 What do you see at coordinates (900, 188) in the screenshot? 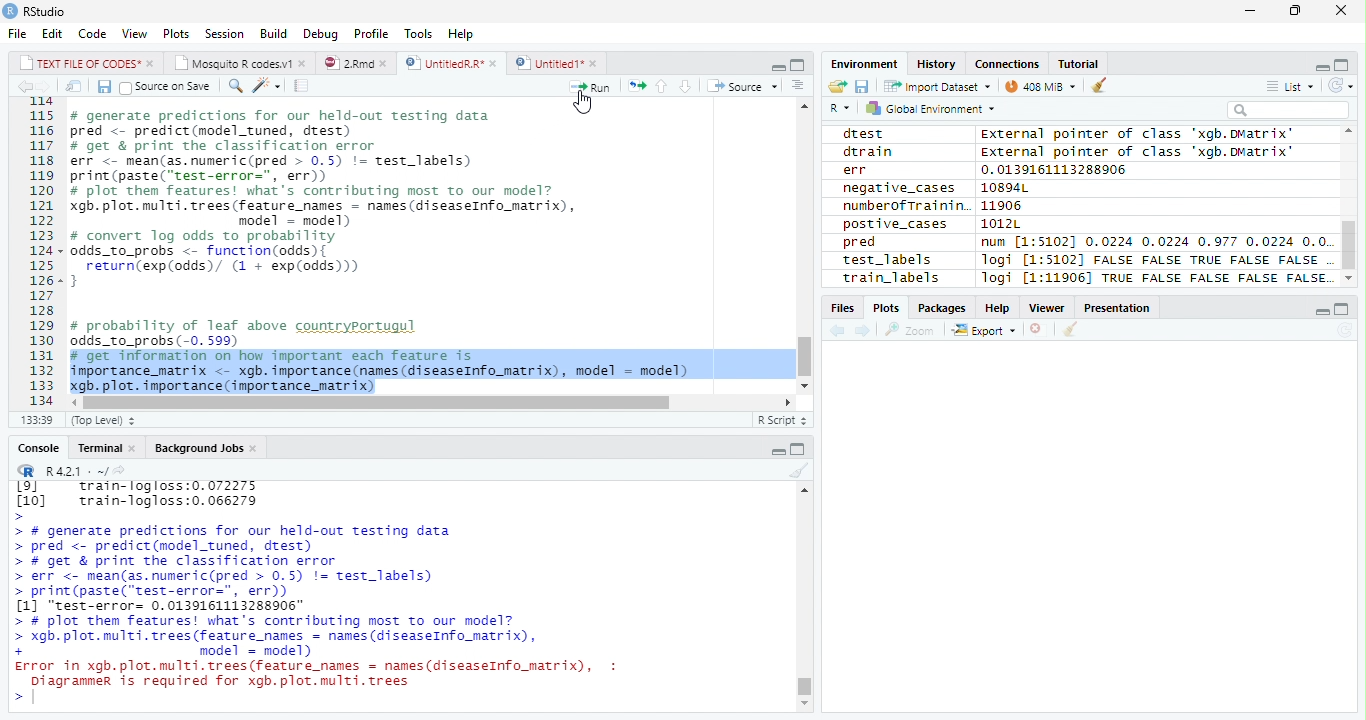
I see `negative_cases` at bounding box center [900, 188].